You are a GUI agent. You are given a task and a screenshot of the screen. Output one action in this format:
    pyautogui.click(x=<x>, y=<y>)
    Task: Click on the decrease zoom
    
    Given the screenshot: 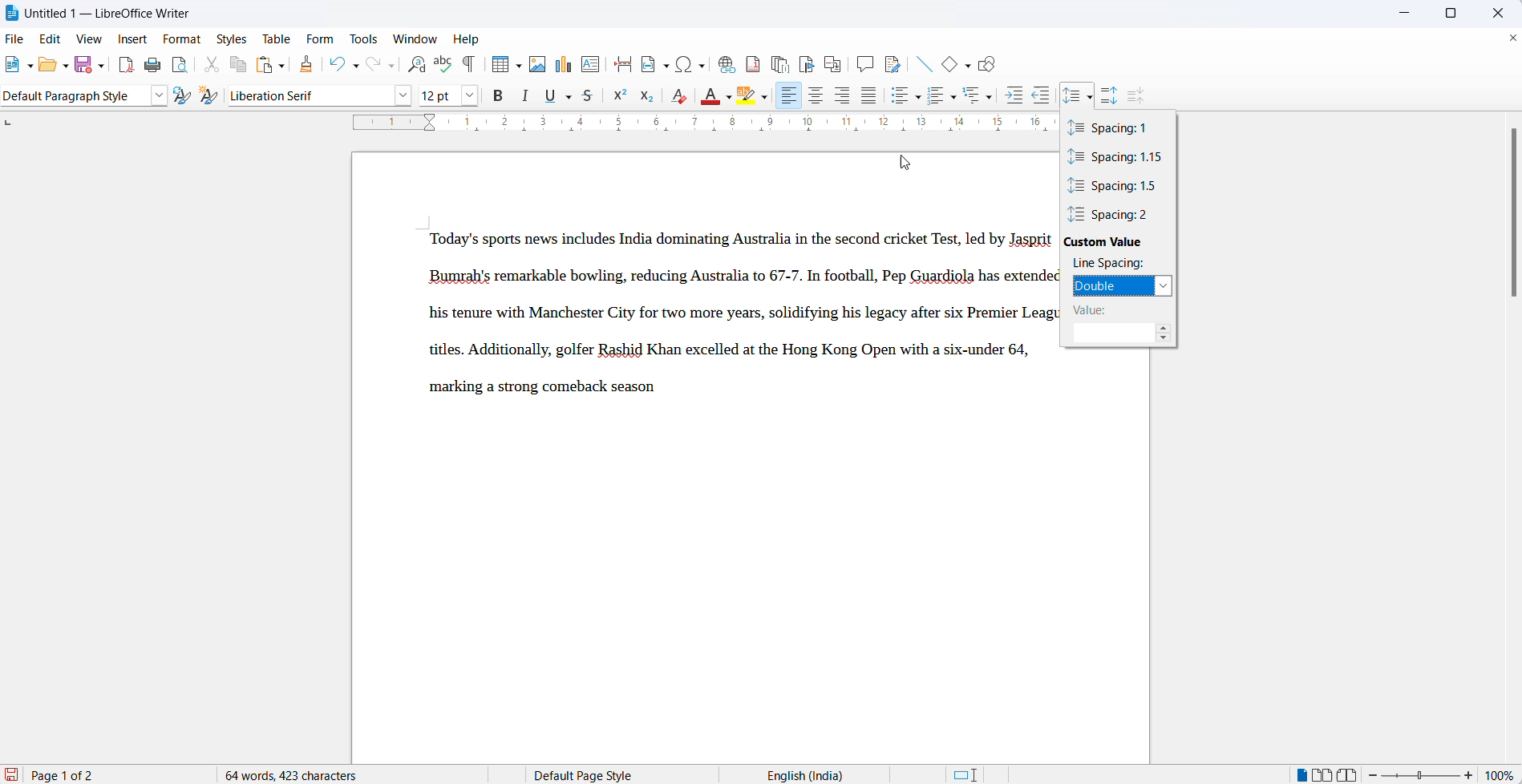 What is the action you would take?
    pyautogui.click(x=1375, y=774)
    